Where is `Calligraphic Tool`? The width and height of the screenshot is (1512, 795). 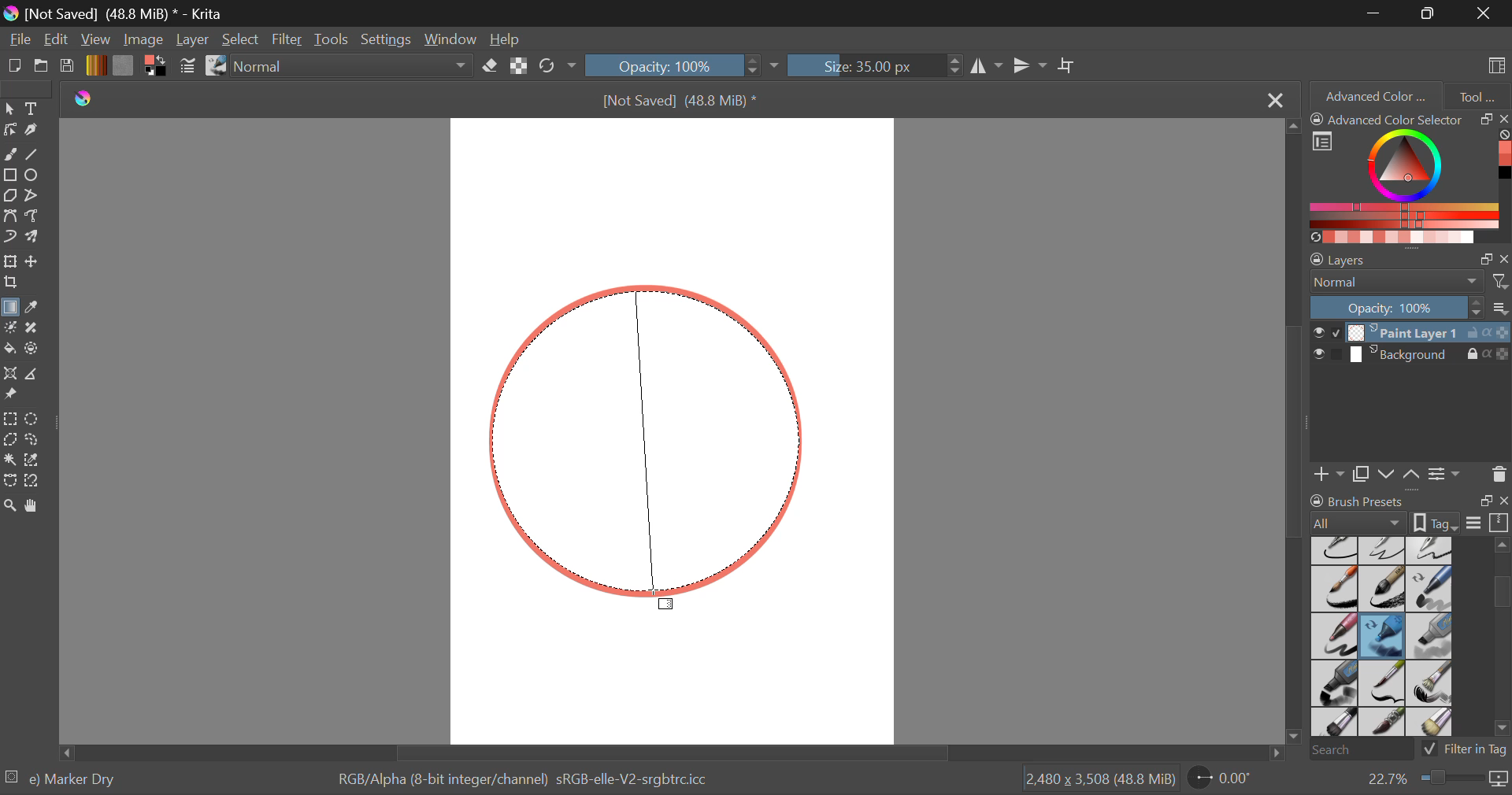
Calligraphic Tool is located at coordinates (35, 130).